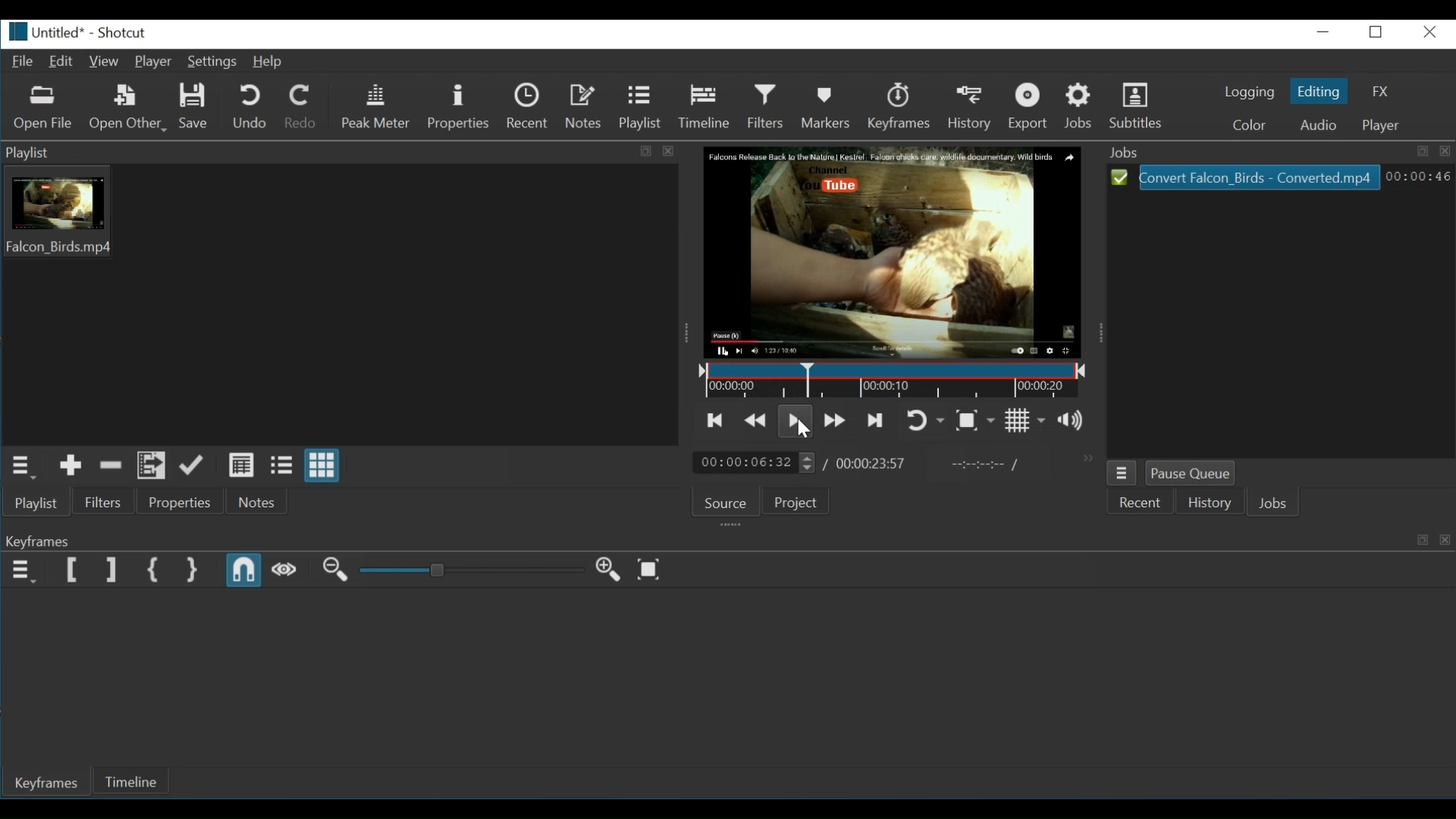 The image size is (1456, 819). Describe the element at coordinates (124, 33) in the screenshot. I see `Shotcut` at that location.